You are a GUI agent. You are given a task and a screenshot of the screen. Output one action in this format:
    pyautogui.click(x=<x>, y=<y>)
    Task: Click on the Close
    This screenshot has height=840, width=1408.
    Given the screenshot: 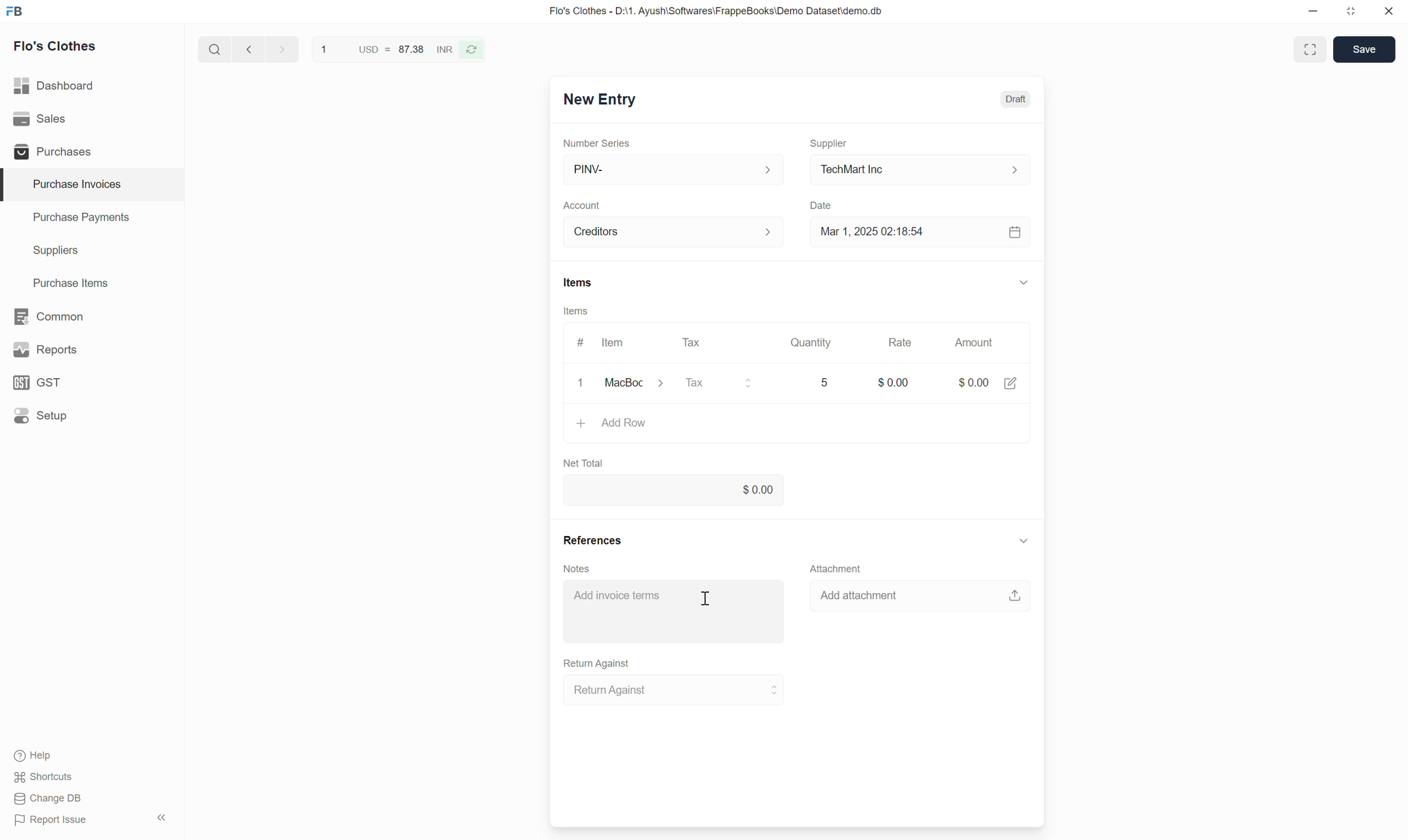 What is the action you would take?
    pyautogui.click(x=1389, y=11)
    